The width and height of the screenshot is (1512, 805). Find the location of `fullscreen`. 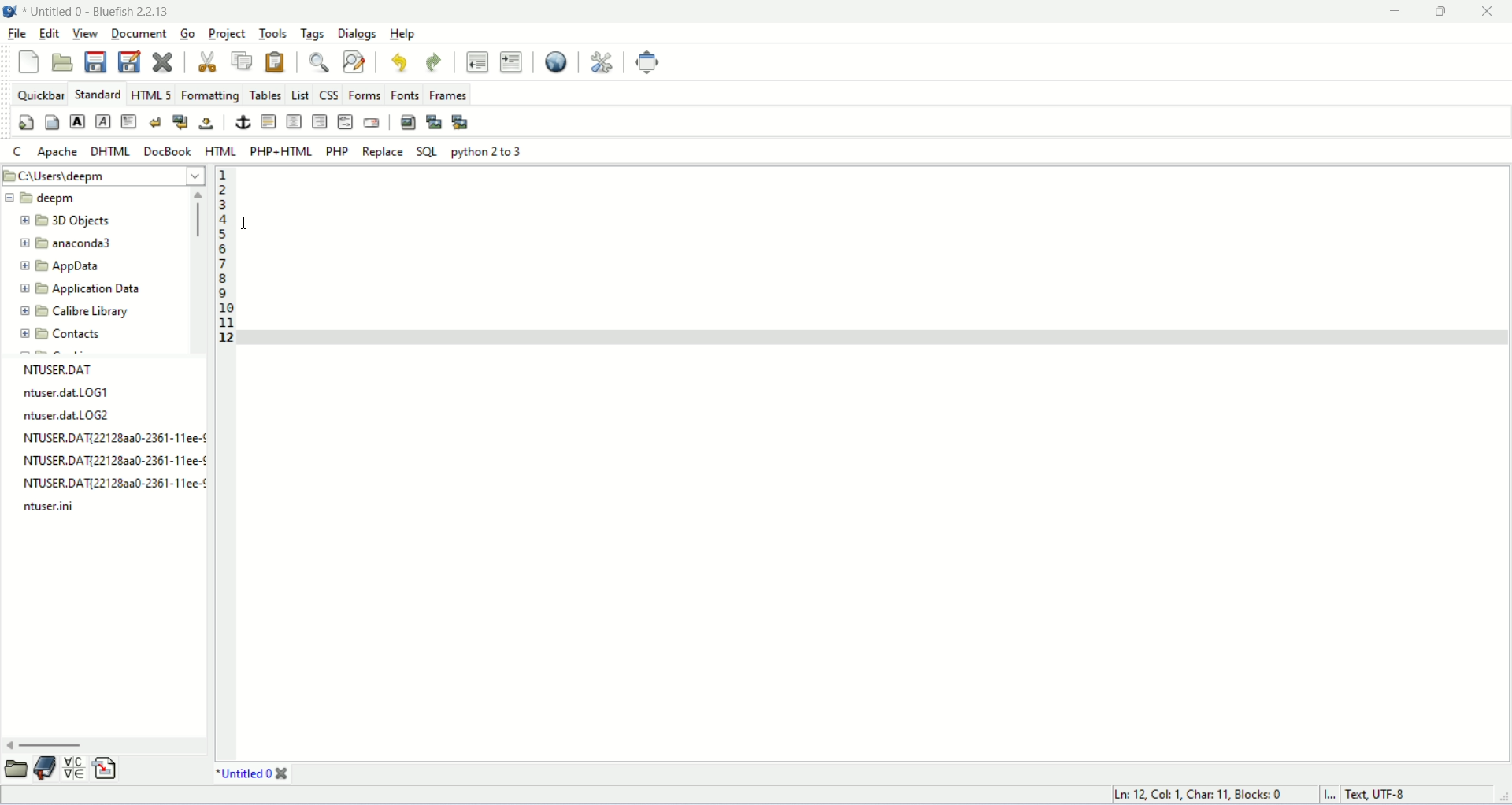

fullscreen is located at coordinates (648, 61).